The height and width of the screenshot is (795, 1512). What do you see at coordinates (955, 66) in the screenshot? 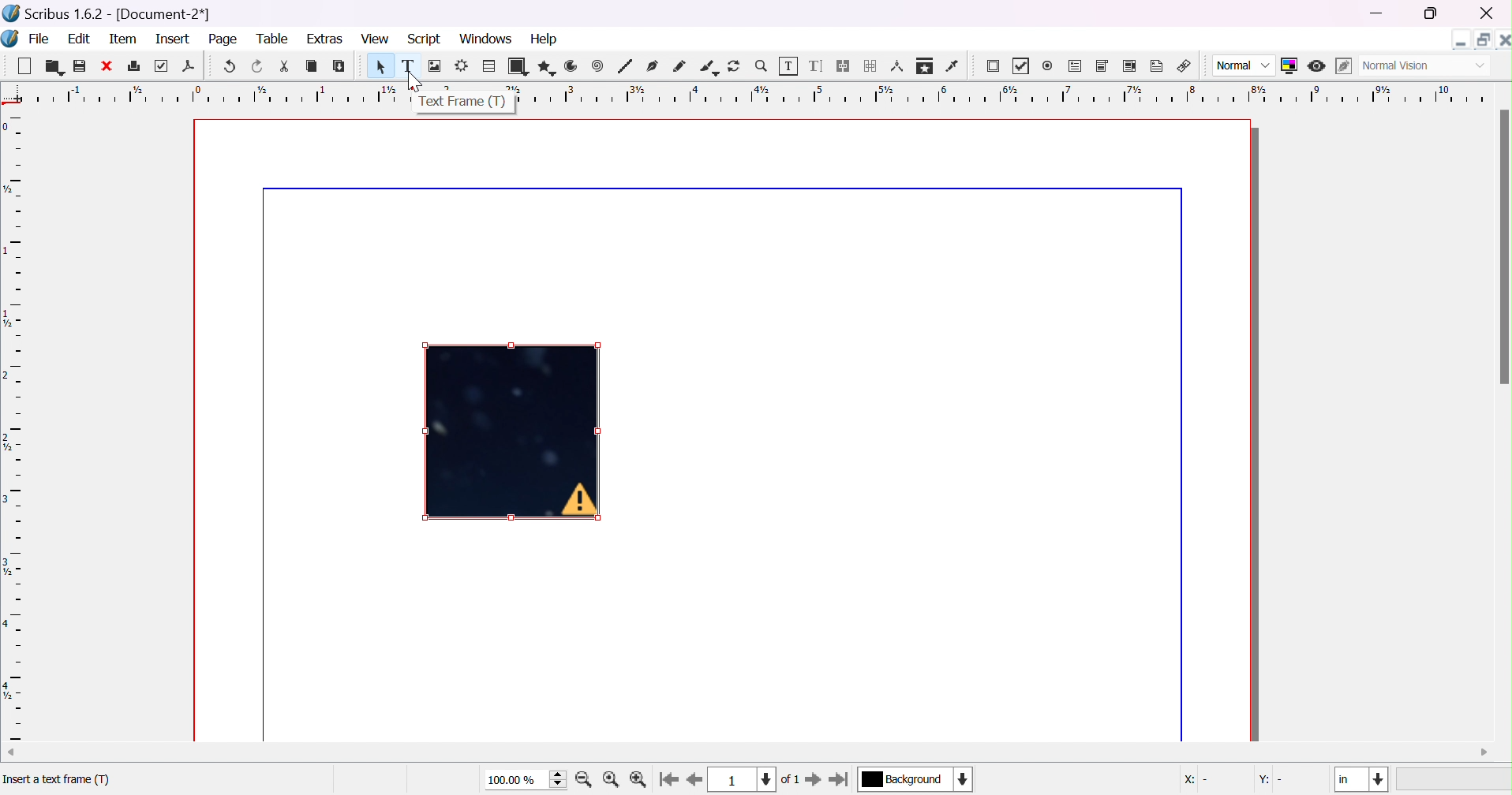
I see `eye dropper` at bounding box center [955, 66].